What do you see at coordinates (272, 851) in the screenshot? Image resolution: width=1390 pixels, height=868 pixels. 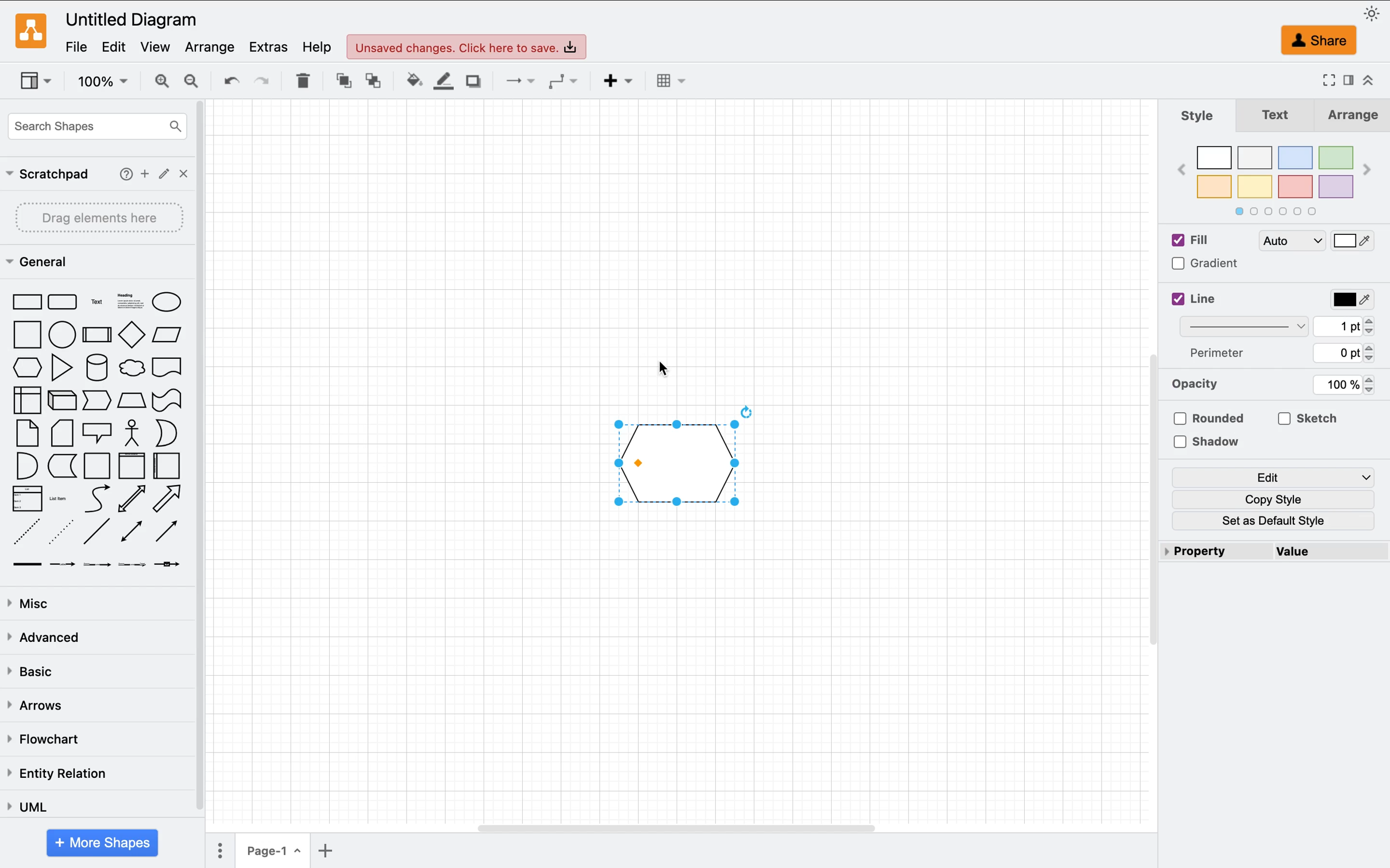 I see `page 1` at bounding box center [272, 851].